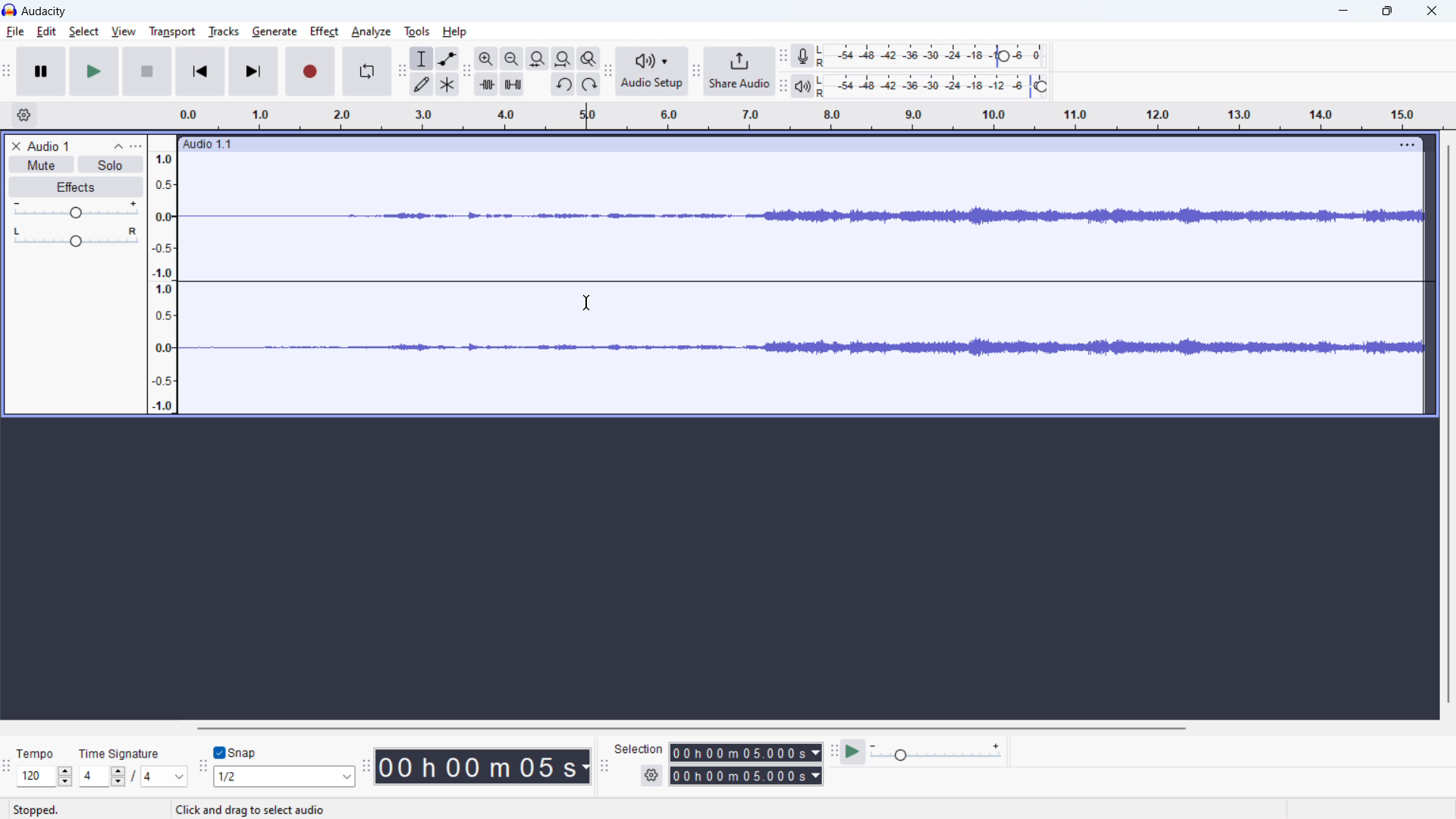  I want to click on effects, so click(77, 187).